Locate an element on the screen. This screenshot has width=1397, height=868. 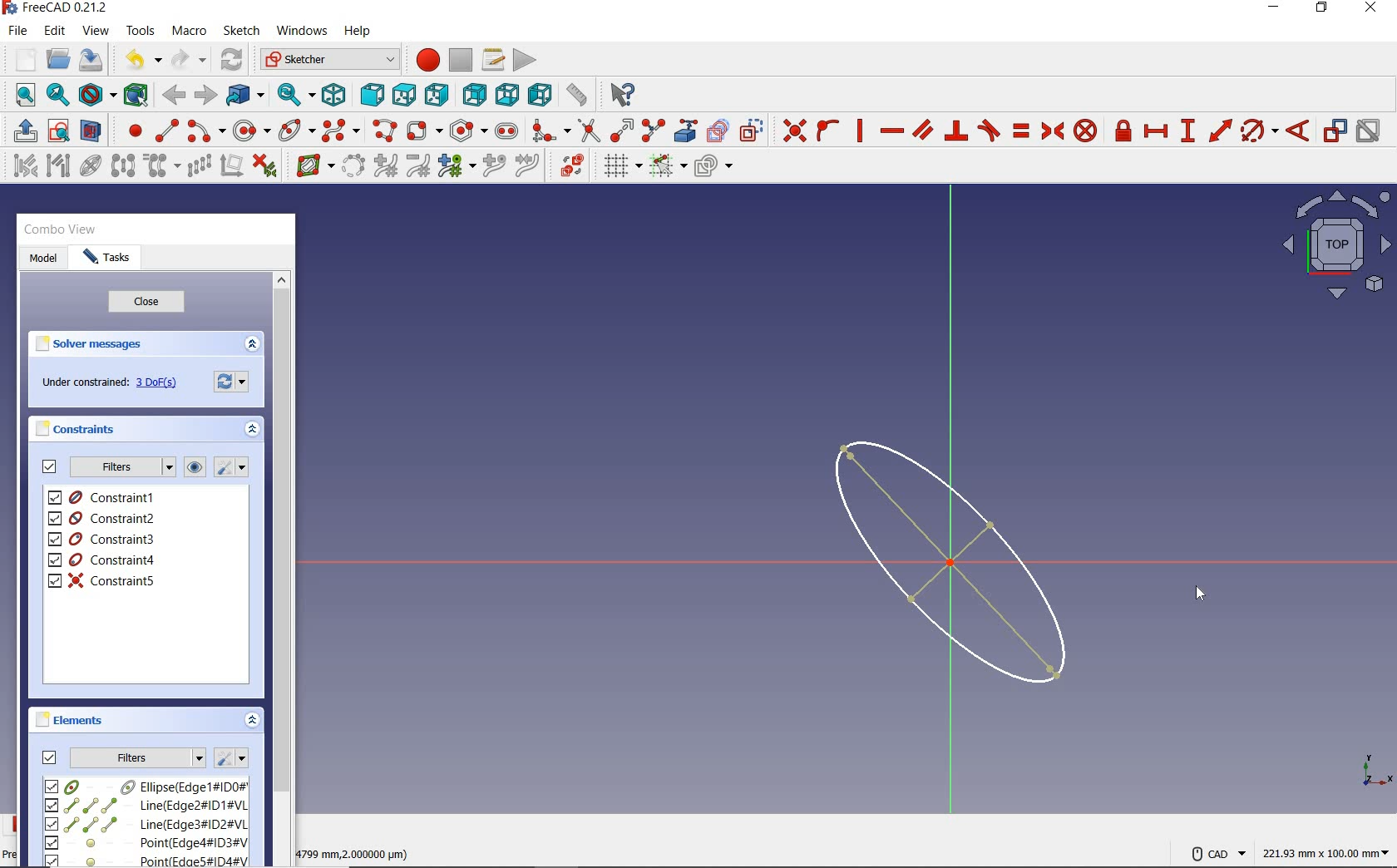
constrain coincident is located at coordinates (790, 131).